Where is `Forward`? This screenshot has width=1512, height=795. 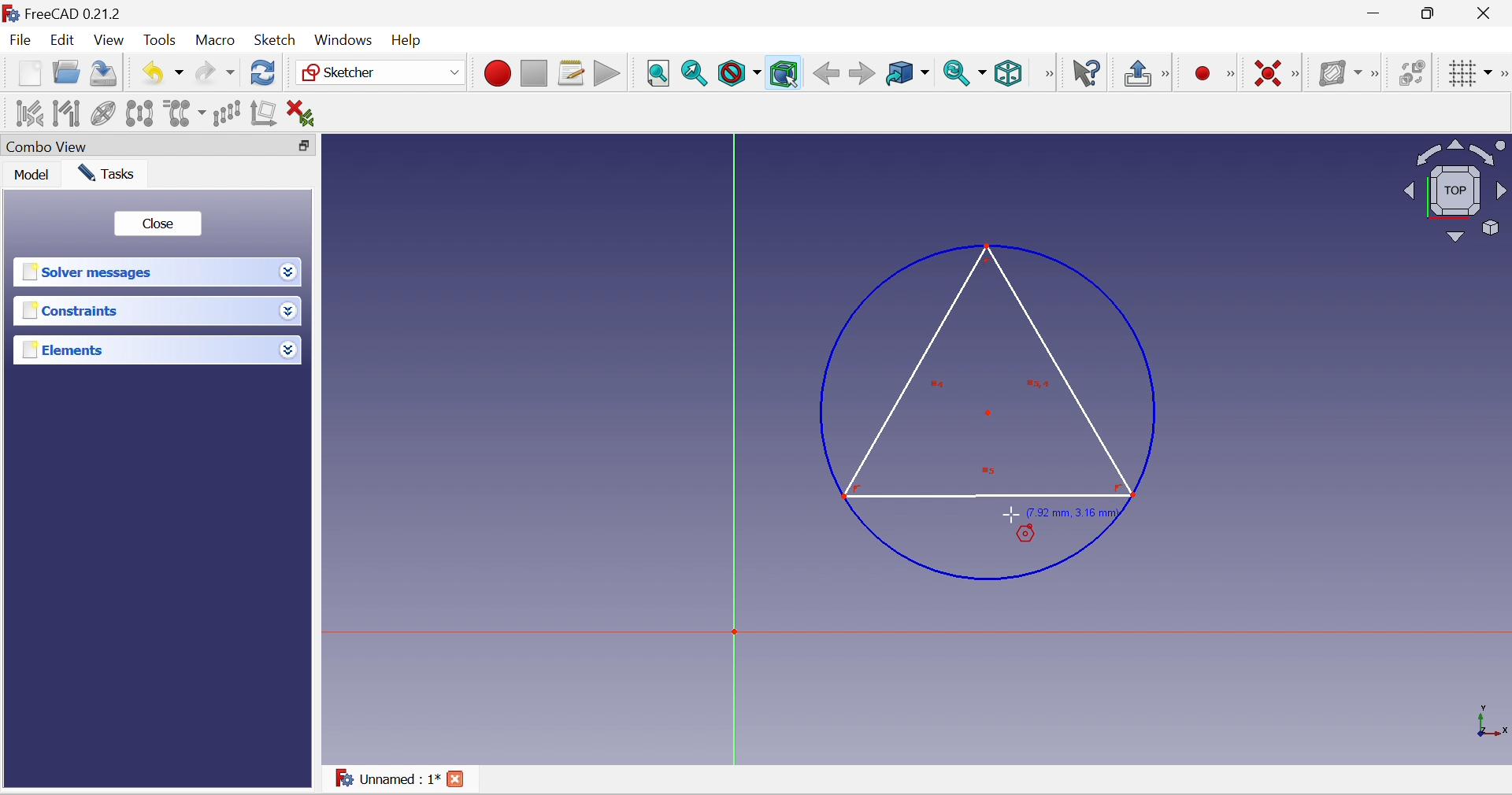 Forward is located at coordinates (862, 74).